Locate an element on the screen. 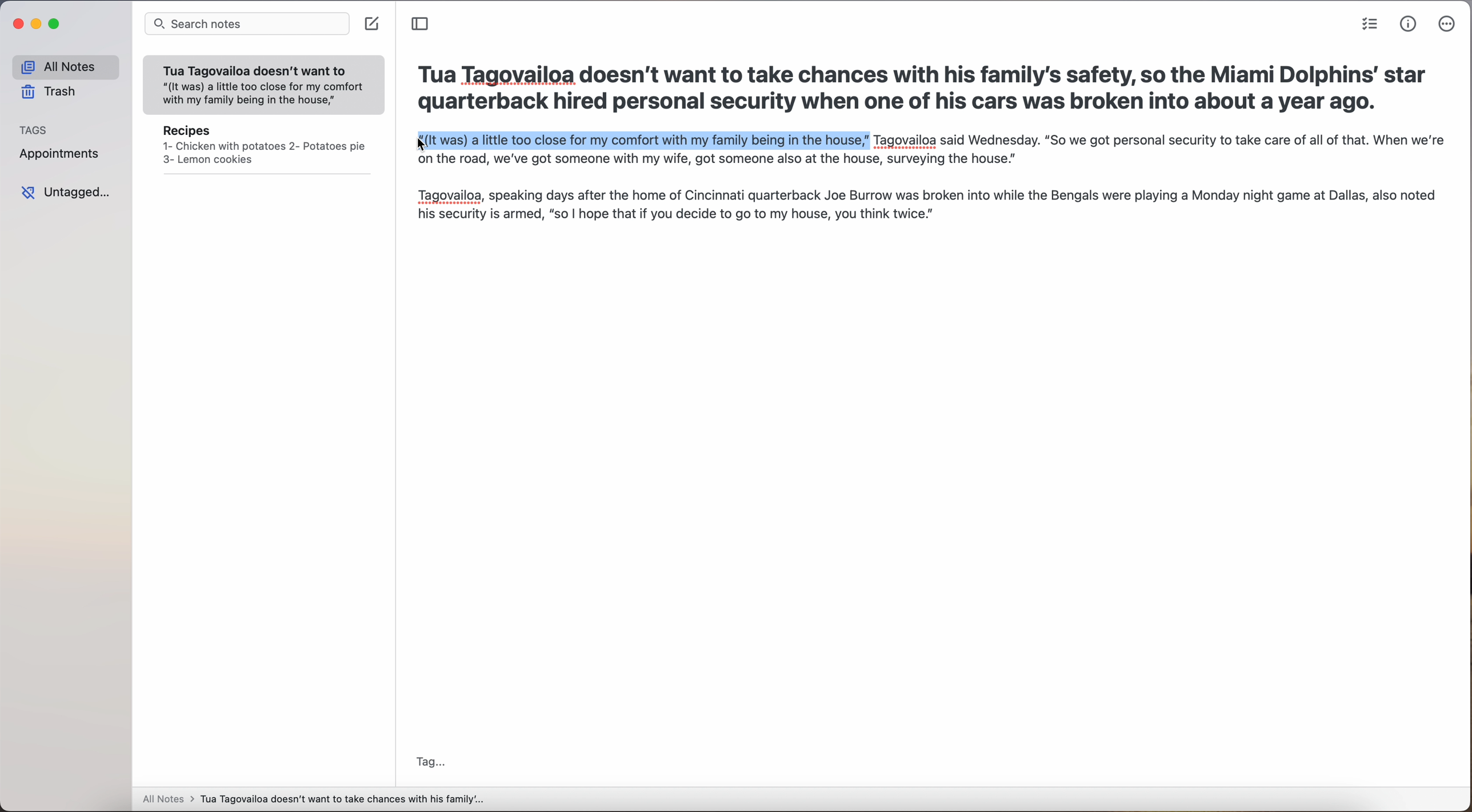 Image resolution: width=1472 pixels, height=812 pixels. create note is located at coordinates (373, 25).